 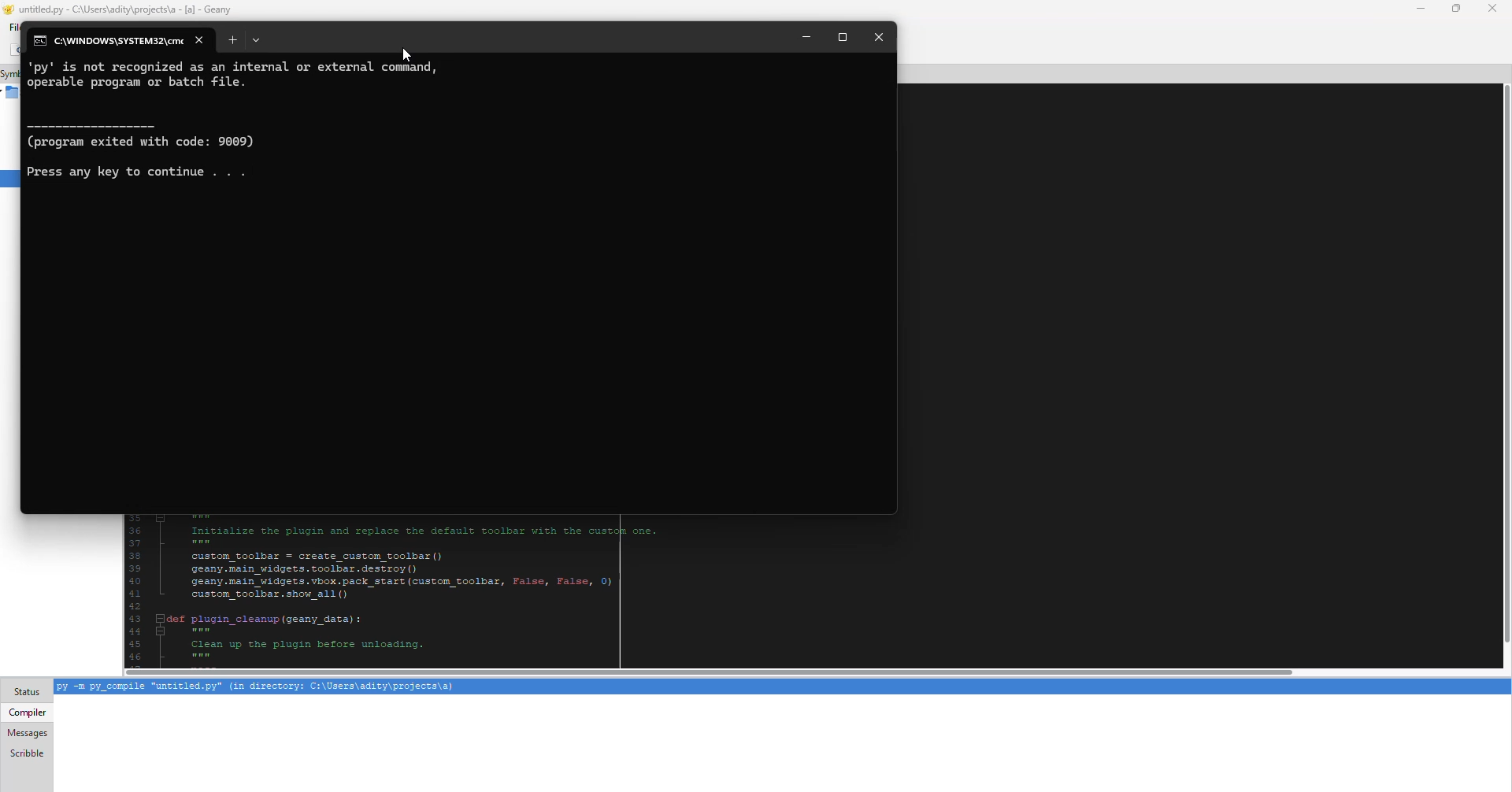 I want to click on maximize, so click(x=841, y=38).